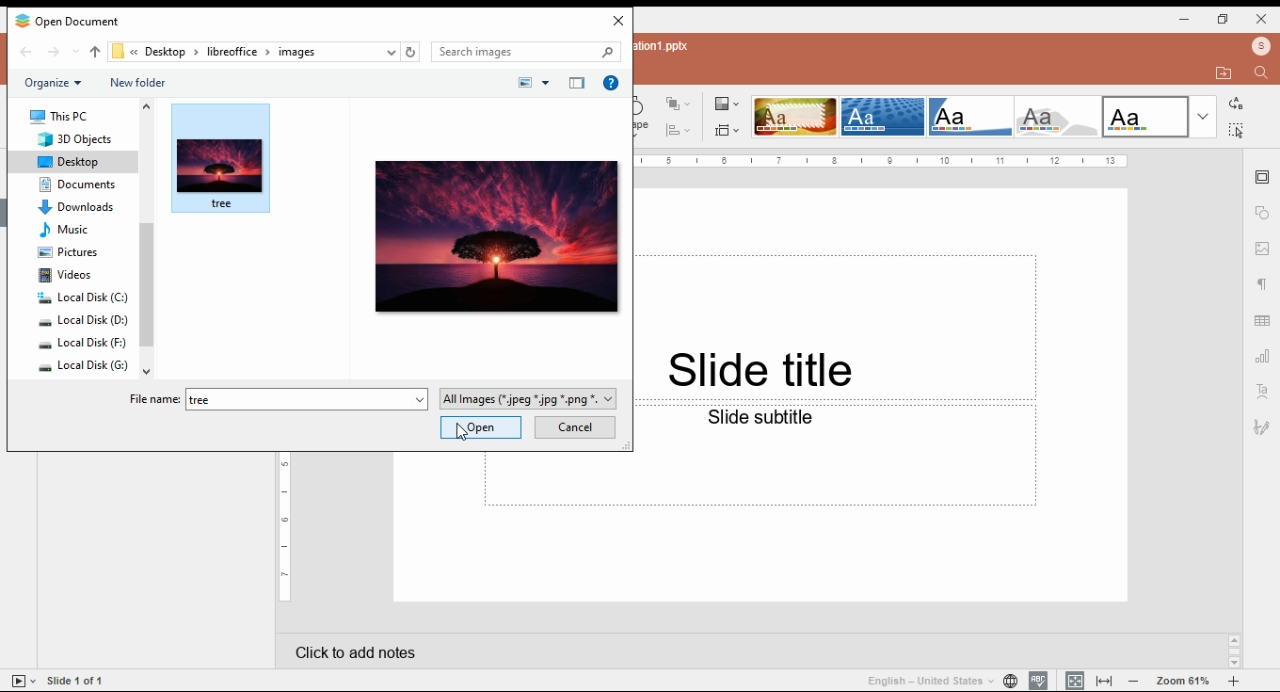  What do you see at coordinates (1261, 48) in the screenshot?
I see `profile` at bounding box center [1261, 48].